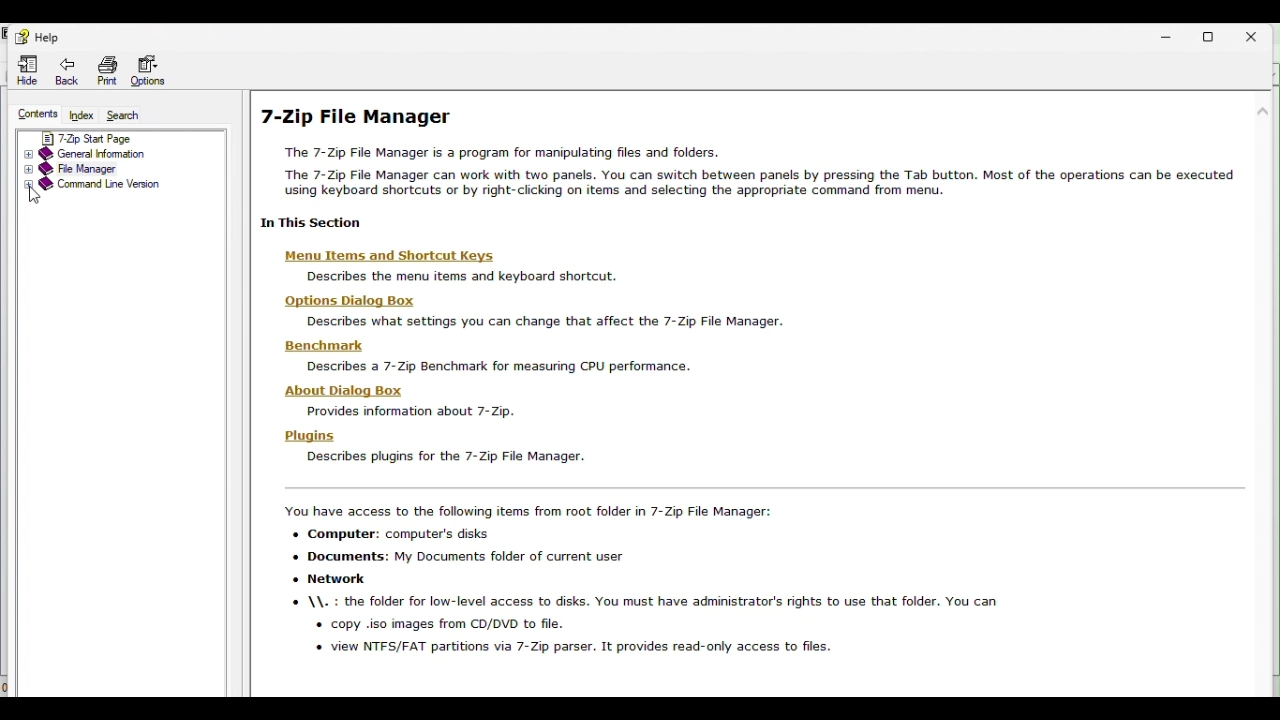  What do you see at coordinates (407, 402) in the screenshot?
I see `about dialog box` at bounding box center [407, 402].